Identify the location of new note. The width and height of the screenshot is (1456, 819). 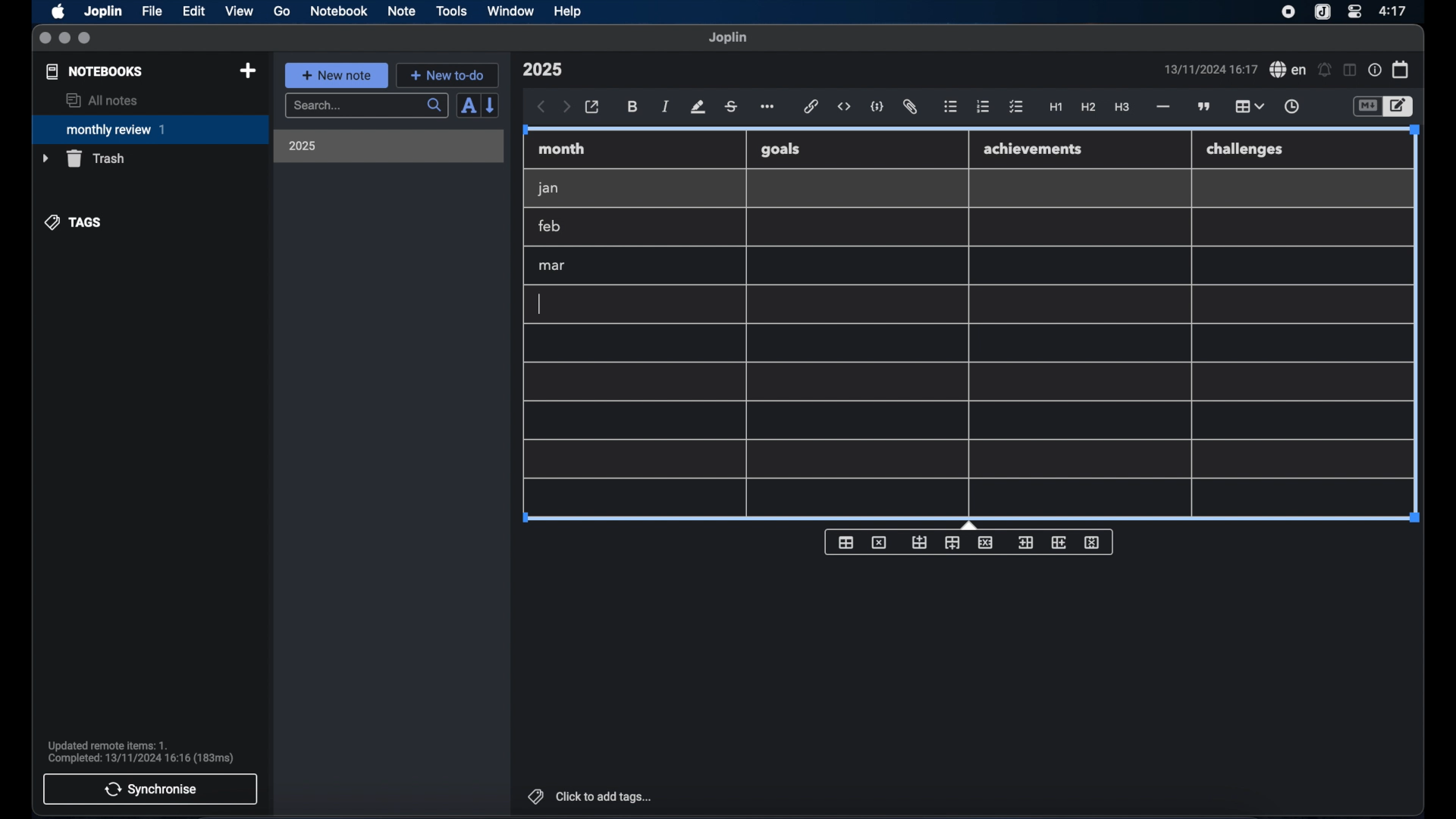
(336, 75).